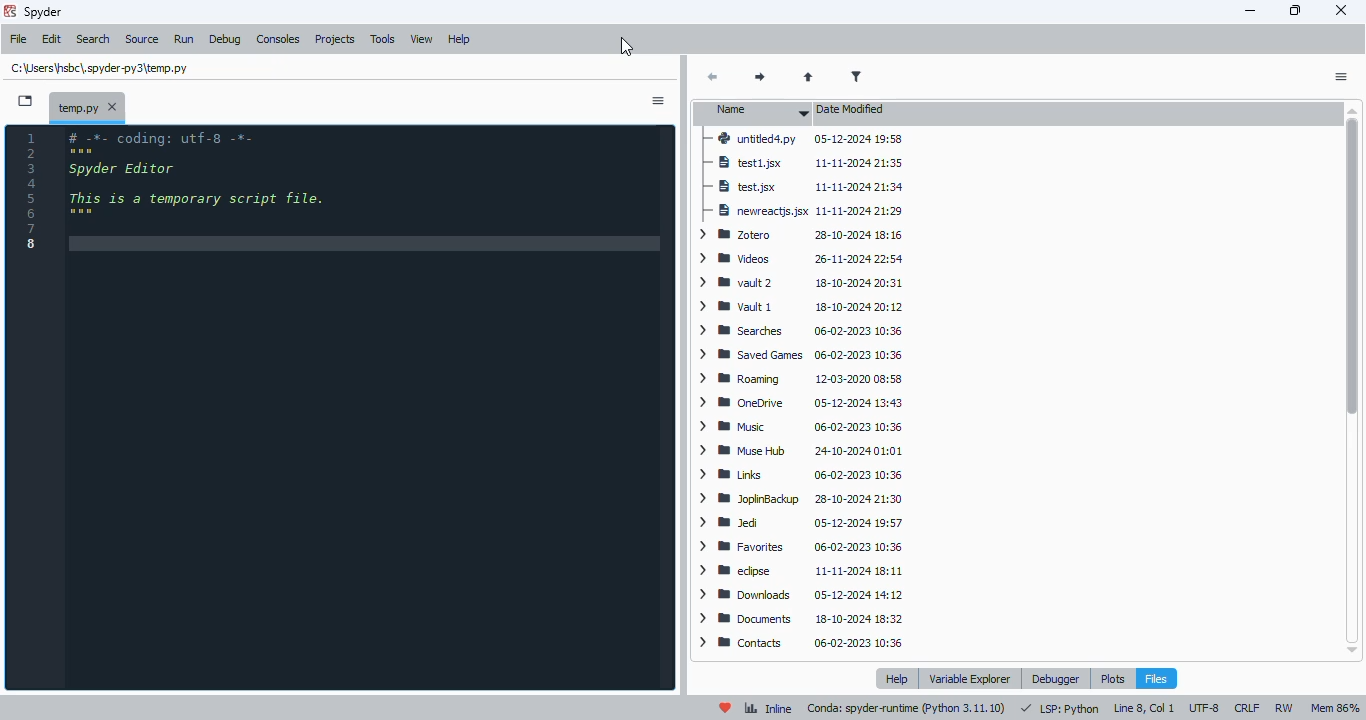 The height and width of the screenshot is (720, 1366). What do you see at coordinates (95, 39) in the screenshot?
I see `search` at bounding box center [95, 39].